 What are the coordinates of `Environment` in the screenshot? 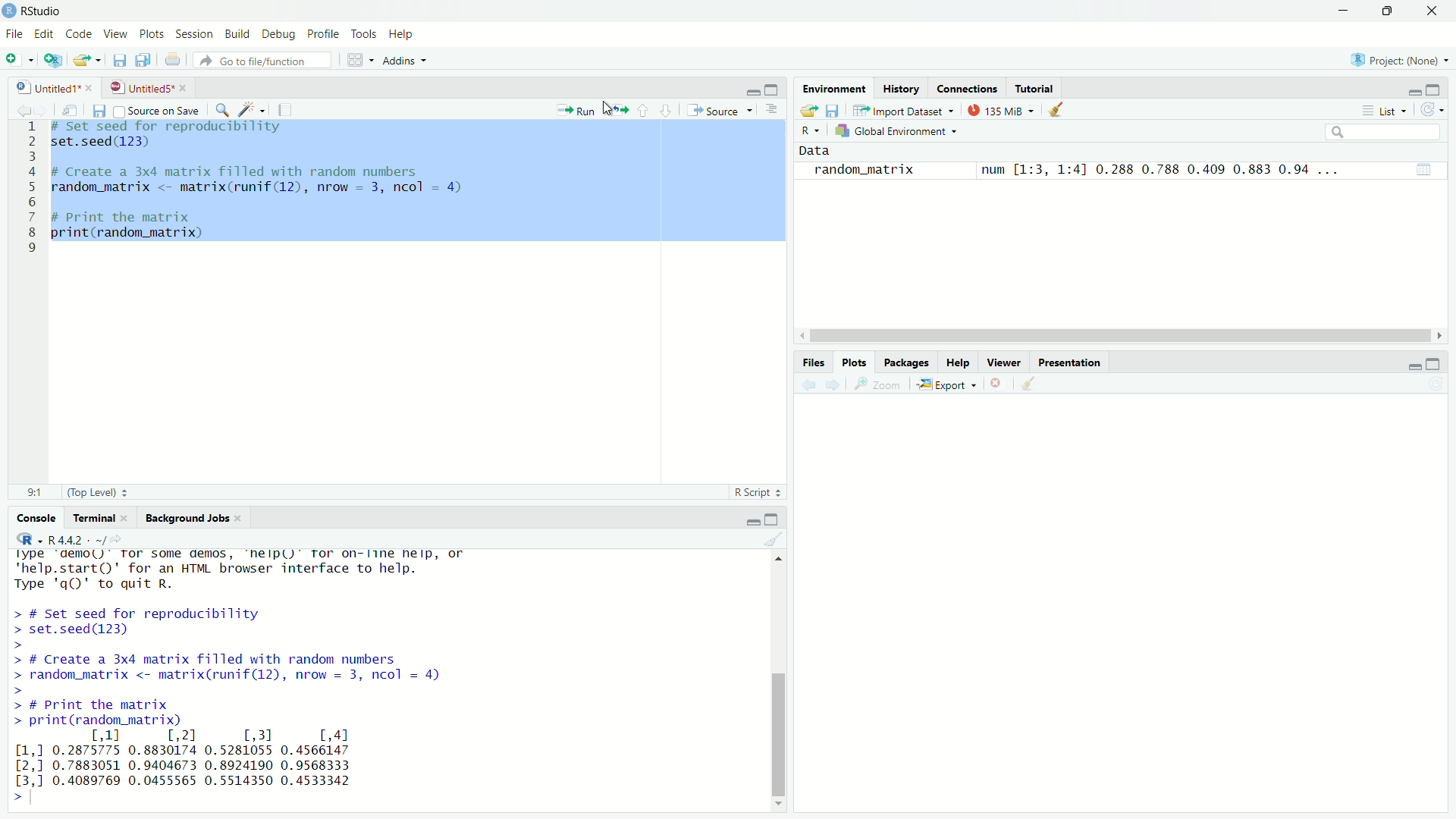 It's located at (834, 88).